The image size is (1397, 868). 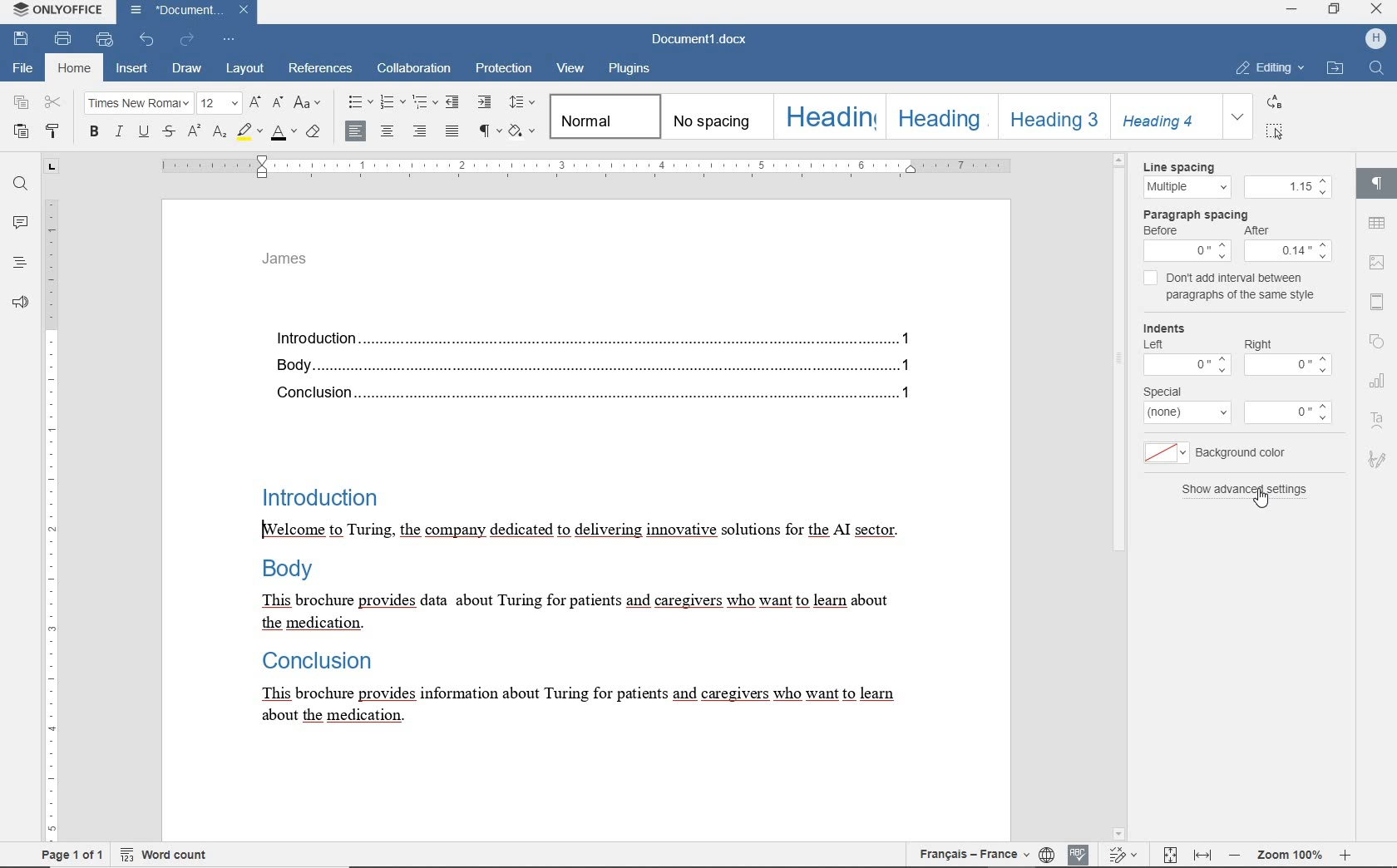 What do you see at coordinates (1163, 231) in the screenshot?
I see `before` at bounding box center [1163, 231].